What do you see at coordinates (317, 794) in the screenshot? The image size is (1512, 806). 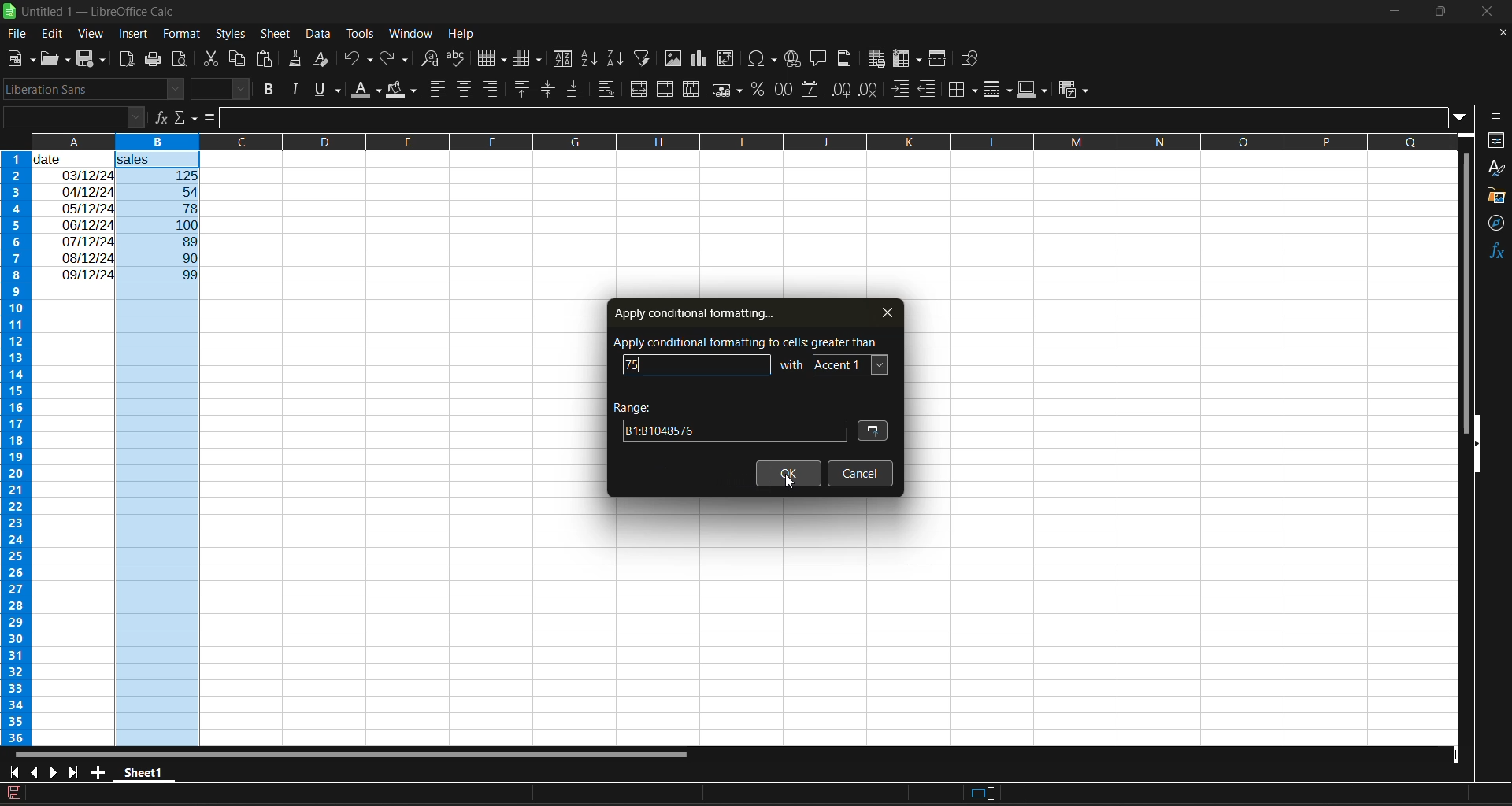 I see `selected area` at bounding box center [317, 794].